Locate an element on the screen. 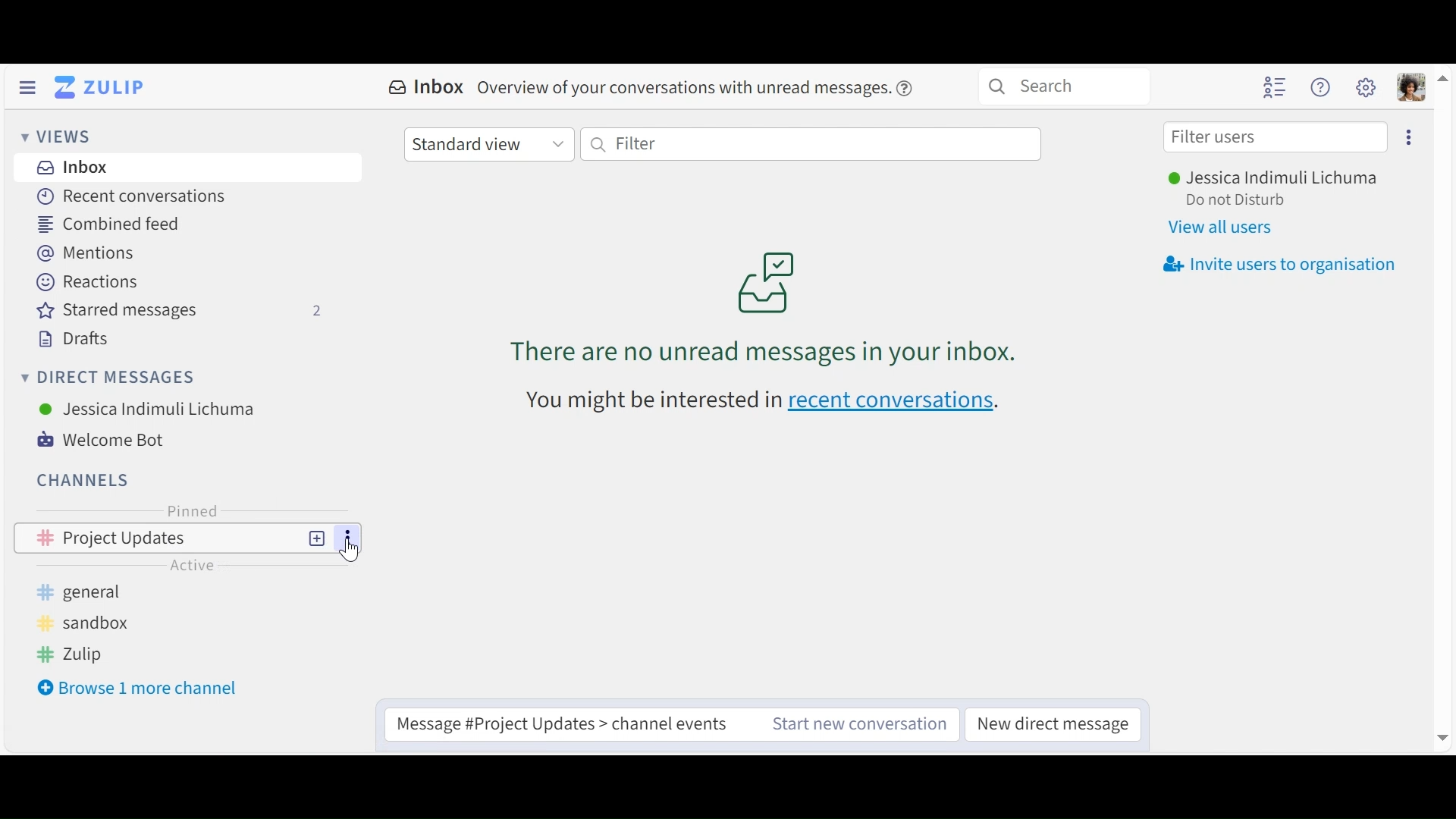  pinned is located at coordinates (193, 510).